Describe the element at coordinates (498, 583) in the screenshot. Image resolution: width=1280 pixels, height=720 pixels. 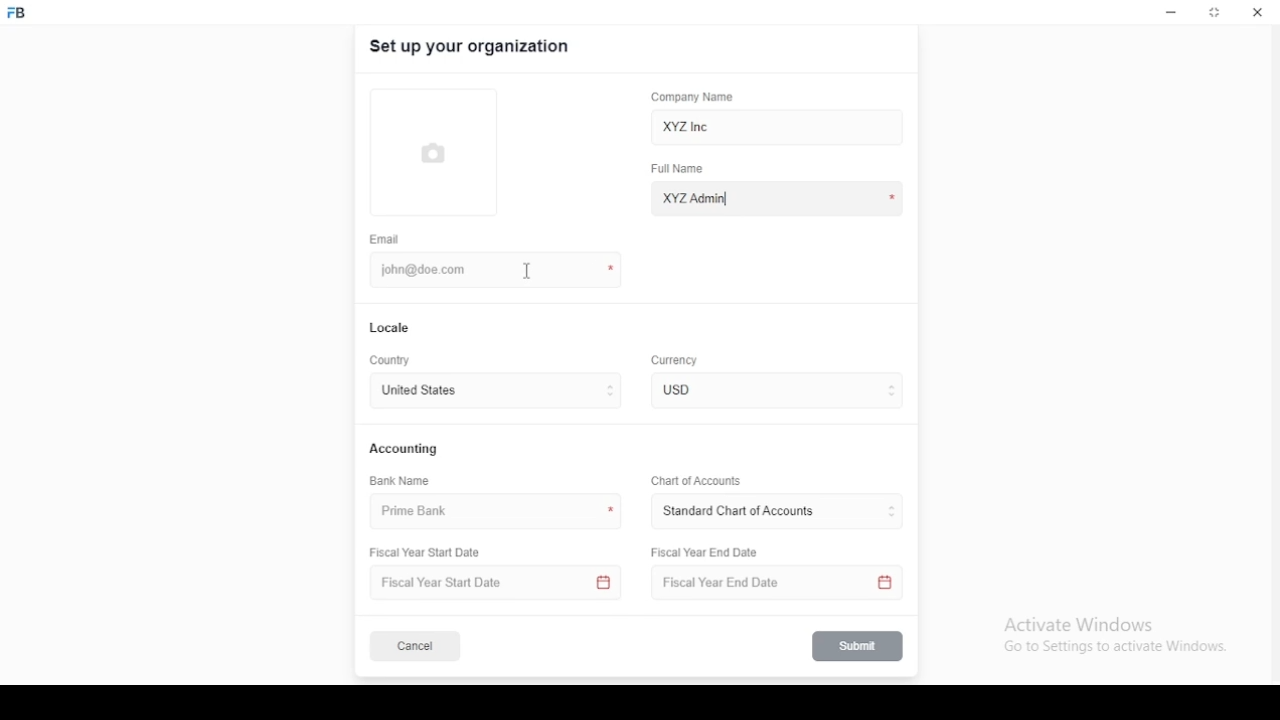
I see `Fiscal Year Start Date` at that location.